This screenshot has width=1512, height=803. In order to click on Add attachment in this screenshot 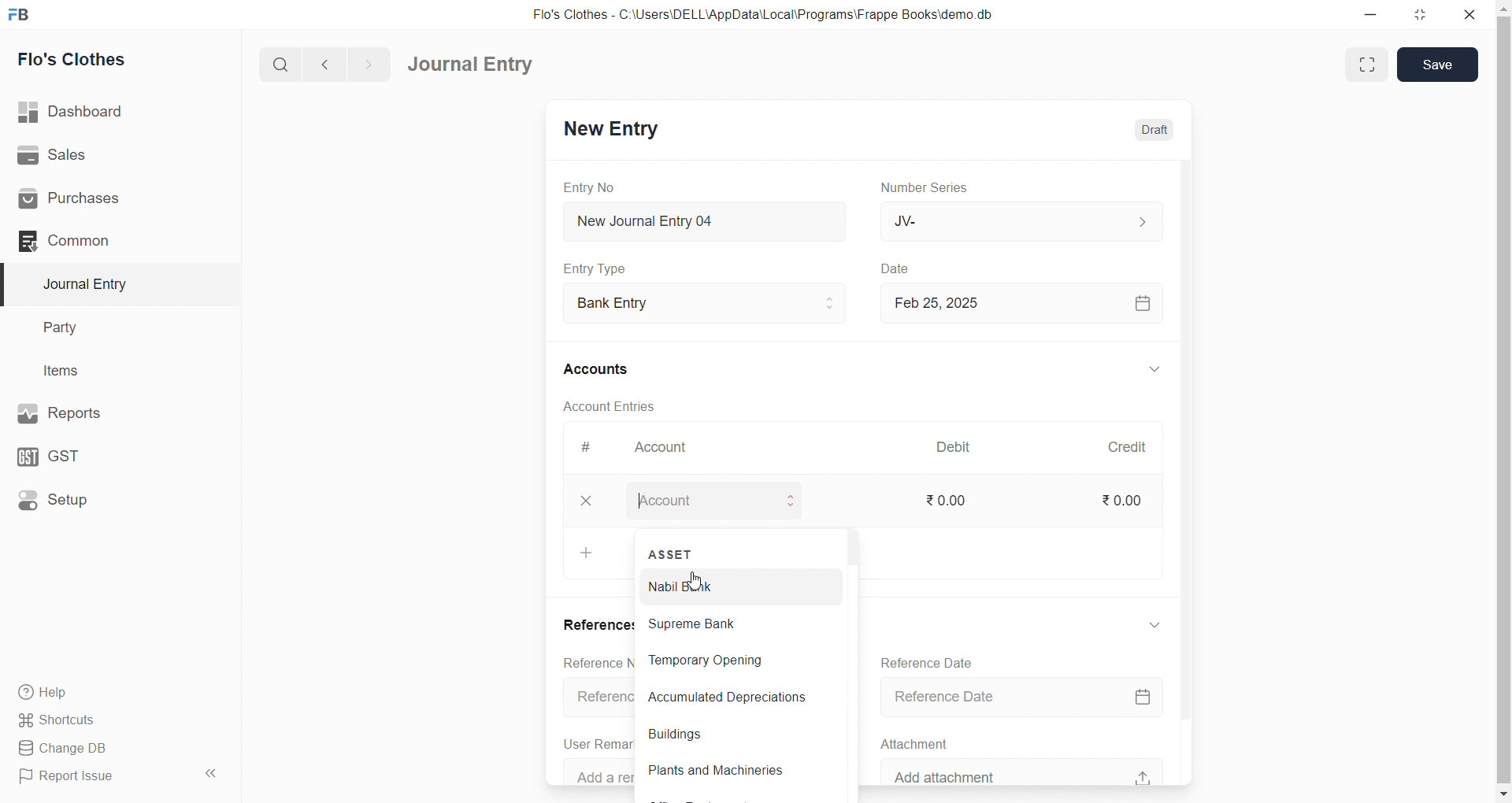, I will do `click(1027, 770)`.